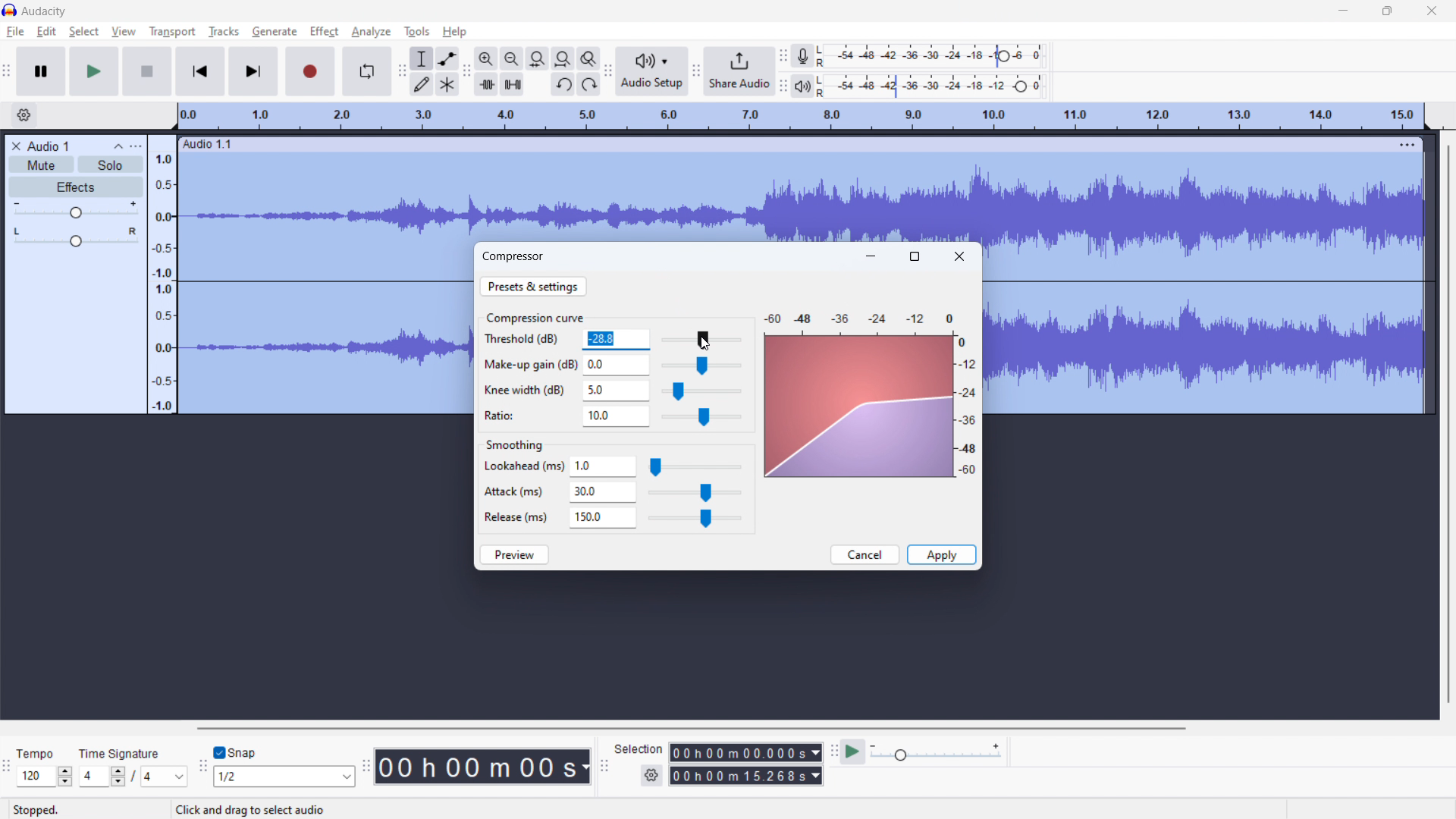  Describe the element at coordinates (701, 418) in the screenshot. I see `ratio slider` at that location.